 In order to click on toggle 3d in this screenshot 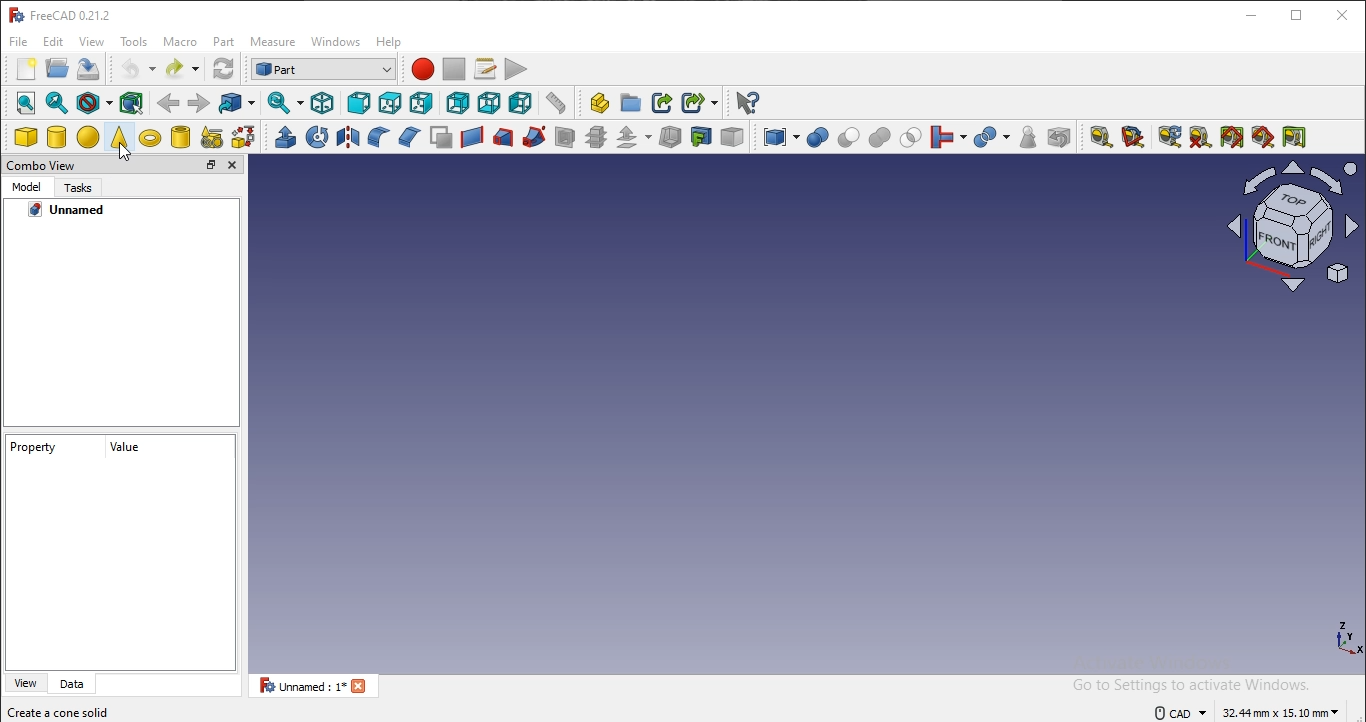, I will do `click(1262, 136)`.